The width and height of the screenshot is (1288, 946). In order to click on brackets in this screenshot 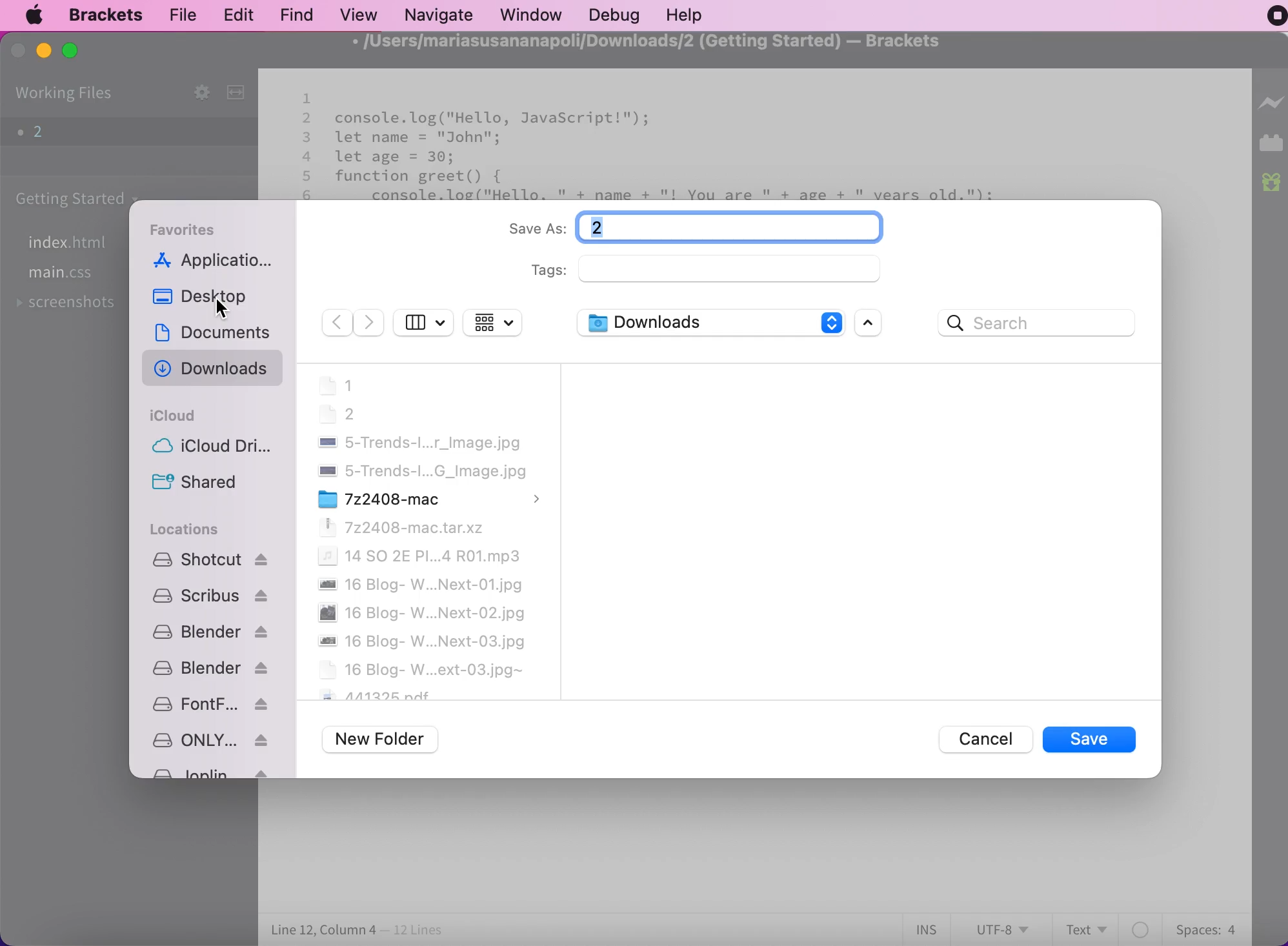, I will do `click(100, 15)`.